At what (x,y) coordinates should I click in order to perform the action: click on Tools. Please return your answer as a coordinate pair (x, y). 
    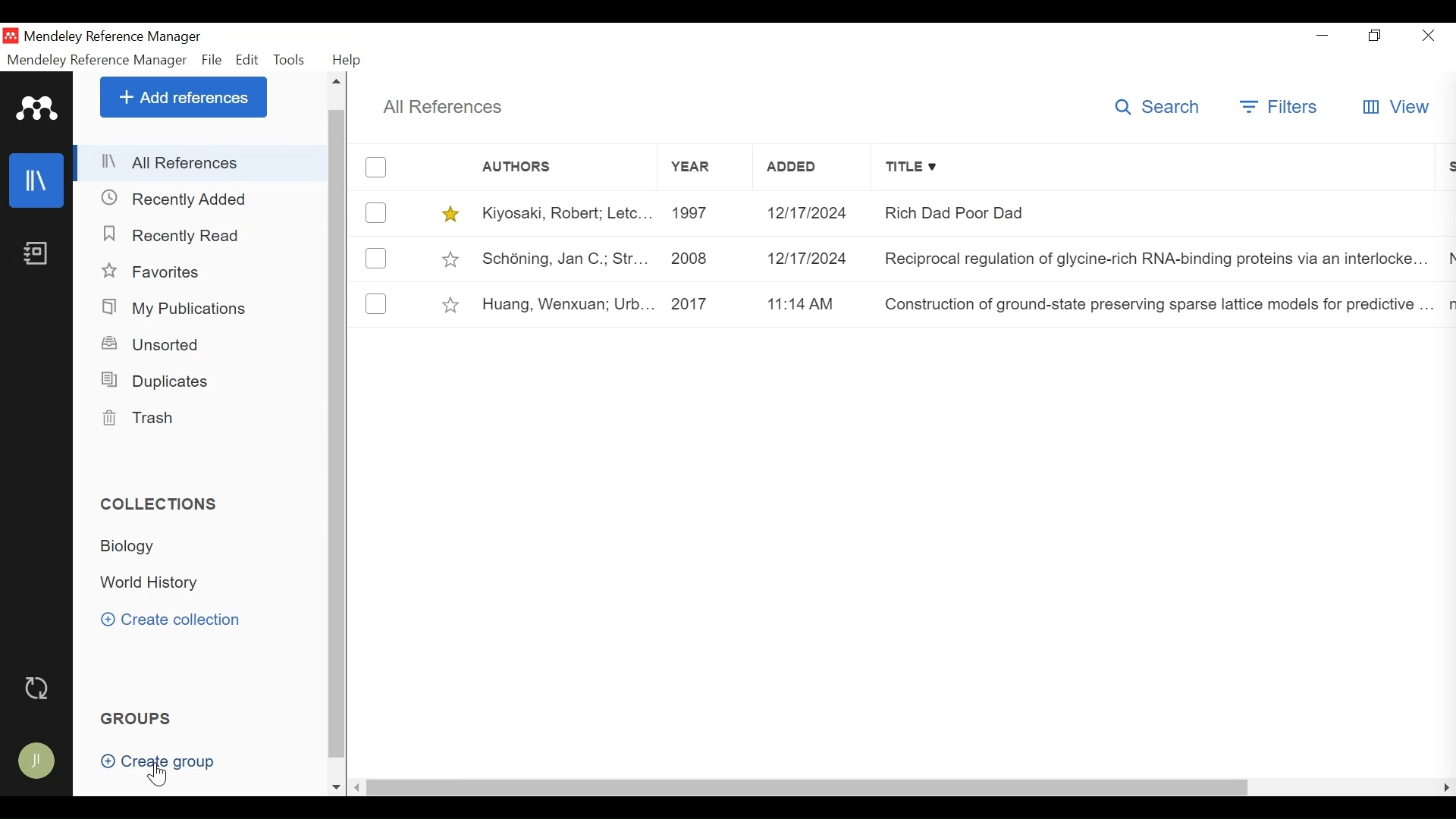
    Looking at the image, I should click on (290, 60).